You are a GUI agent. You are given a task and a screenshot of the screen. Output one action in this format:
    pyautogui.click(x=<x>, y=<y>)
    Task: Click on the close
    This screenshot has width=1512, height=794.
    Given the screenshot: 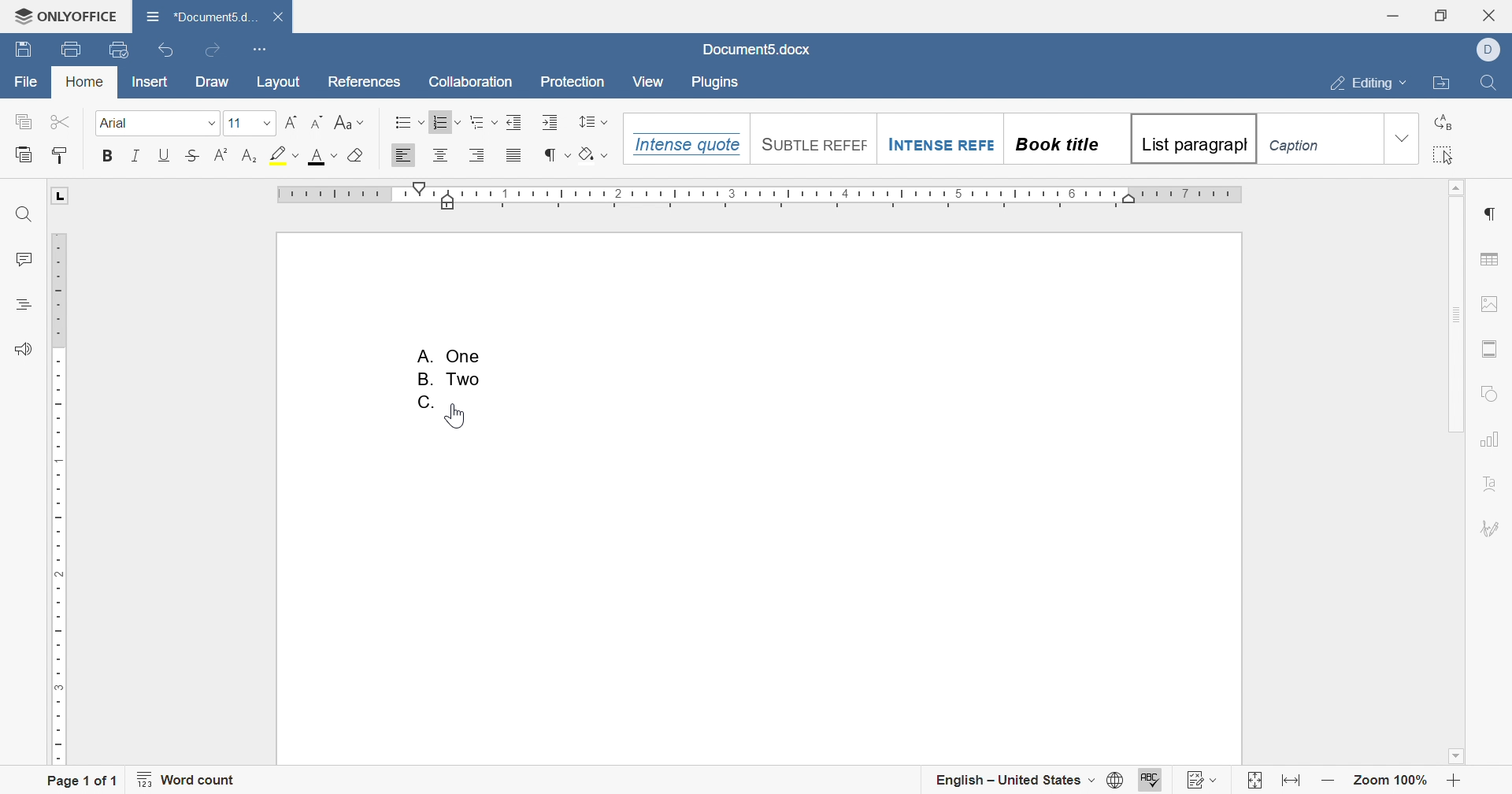 What is the action you would take?
    pyautogui.click(x=1492, y=16)
    